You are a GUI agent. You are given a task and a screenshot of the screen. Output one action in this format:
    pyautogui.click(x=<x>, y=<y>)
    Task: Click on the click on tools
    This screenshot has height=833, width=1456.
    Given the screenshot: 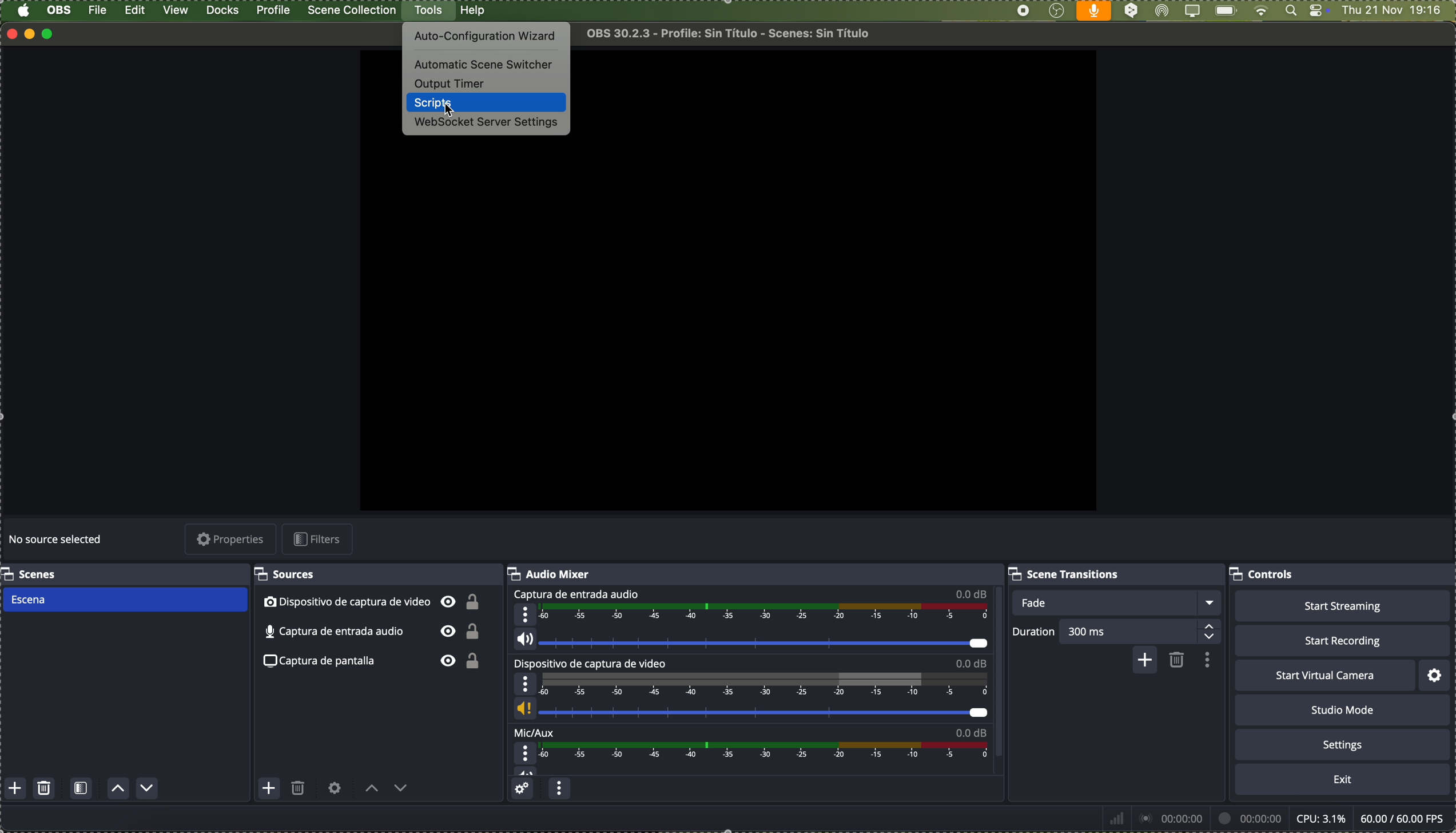 What is the action you would take?
    pyautogui.click(x=430, y=9)
    